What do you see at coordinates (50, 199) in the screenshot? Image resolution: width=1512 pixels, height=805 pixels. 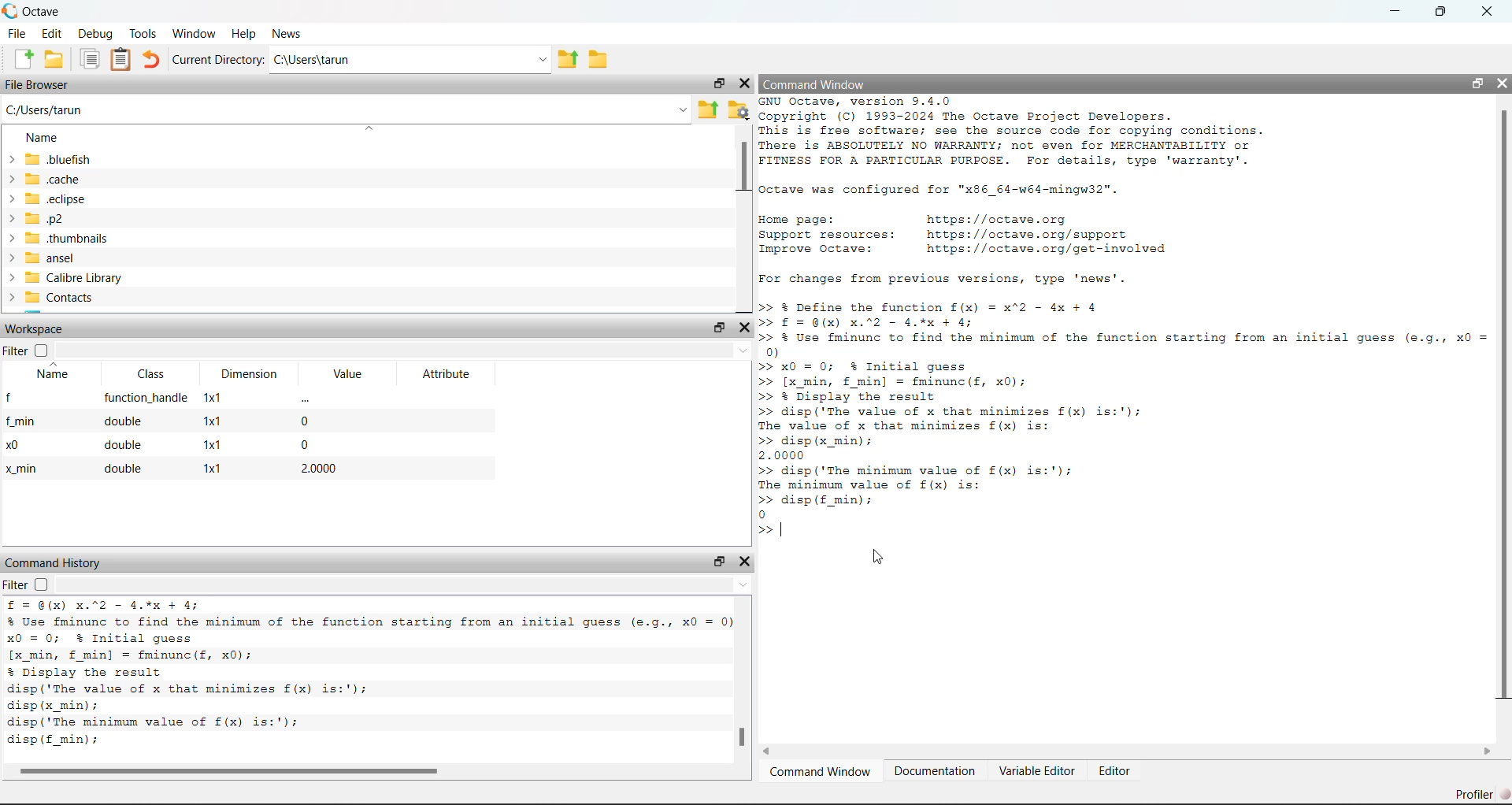 I see `> 50 eclipse` at bounding box center [50, 199].